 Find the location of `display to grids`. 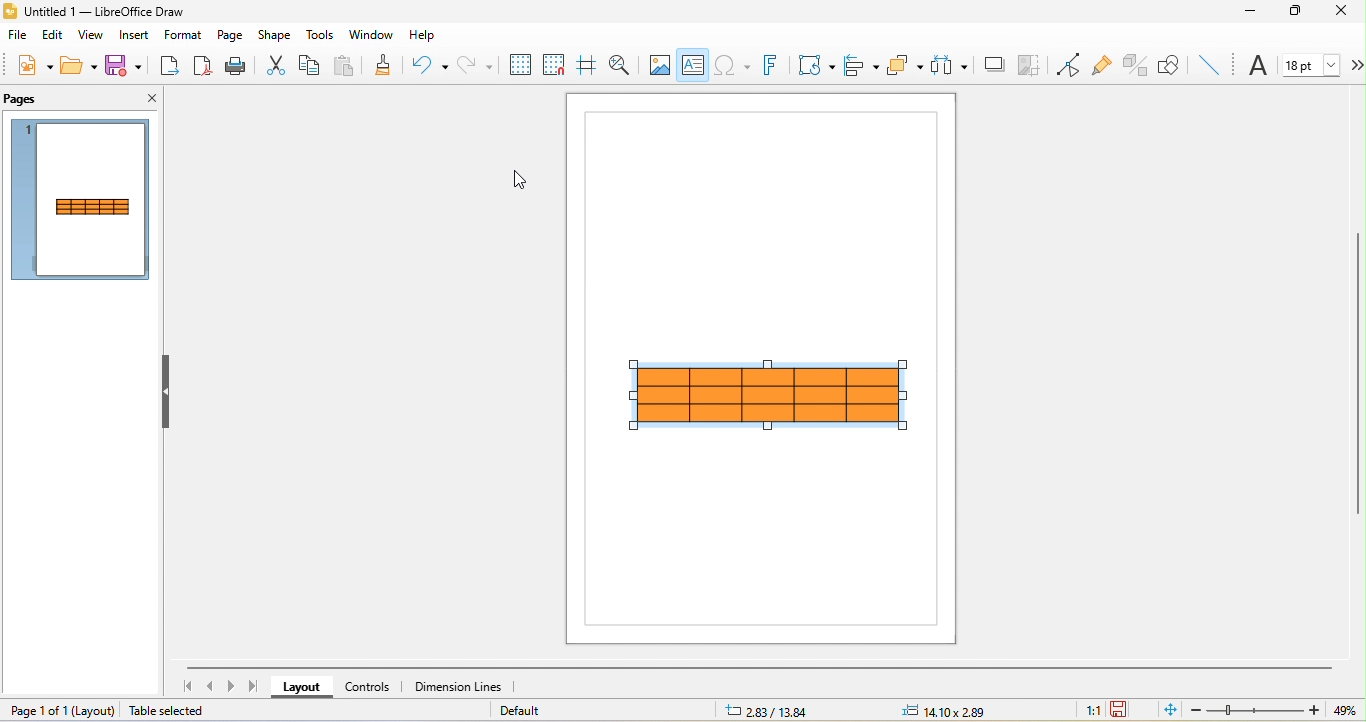

display to grids is located at coordinates (518, 64).